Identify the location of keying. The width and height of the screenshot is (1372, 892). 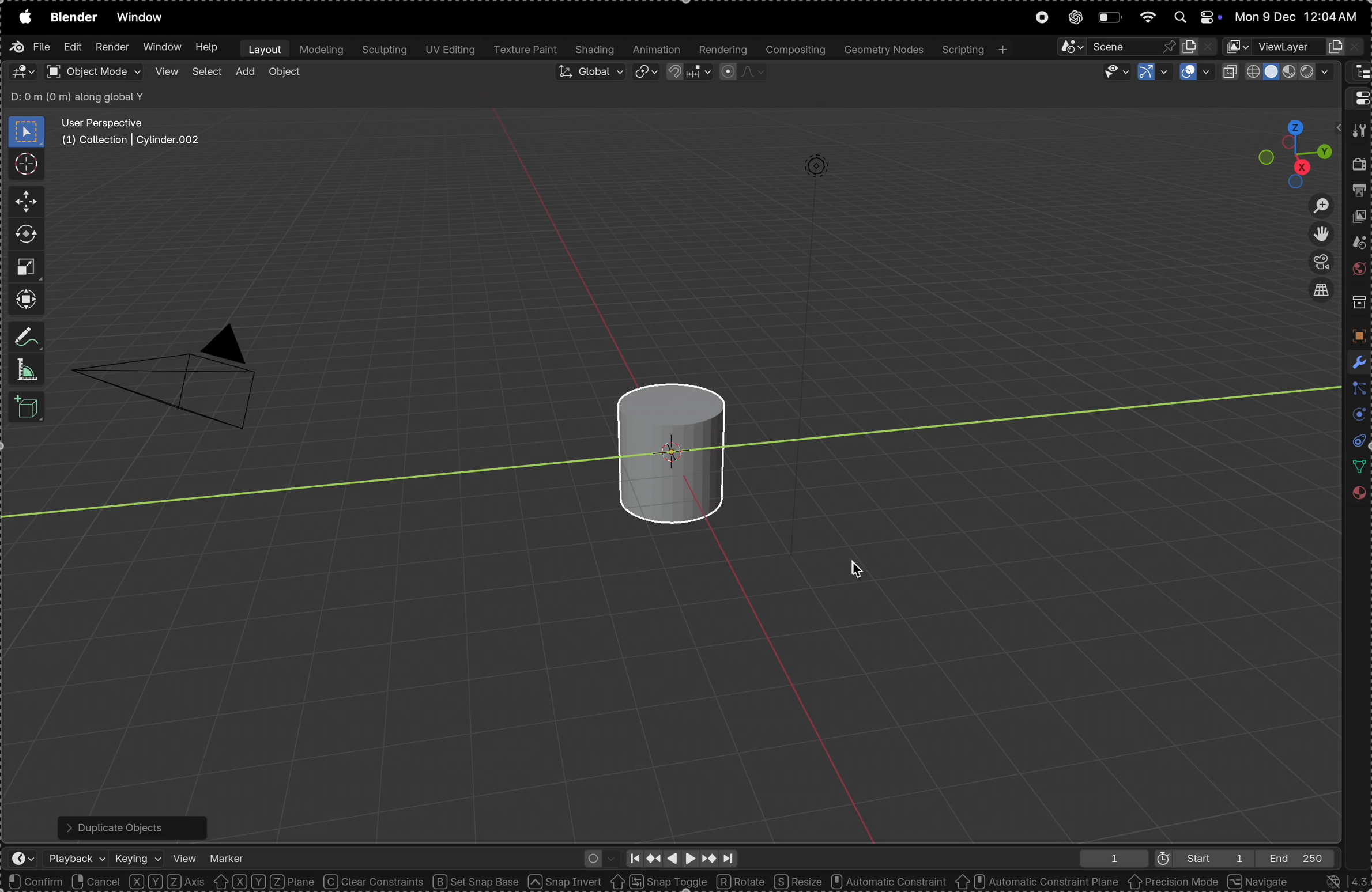
(138, 855).